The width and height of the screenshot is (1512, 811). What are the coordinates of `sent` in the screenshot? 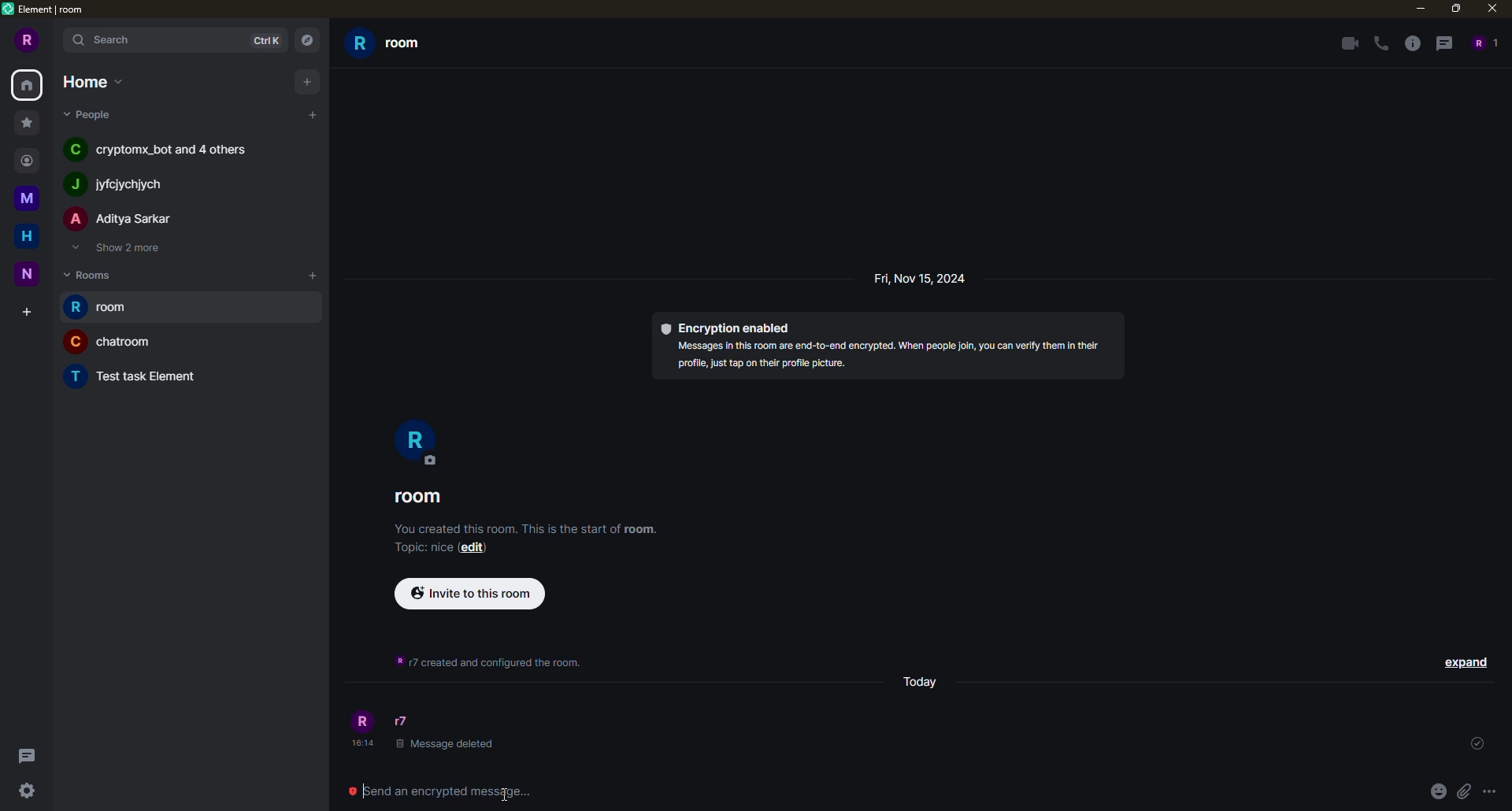 It's located at (1476, 743).